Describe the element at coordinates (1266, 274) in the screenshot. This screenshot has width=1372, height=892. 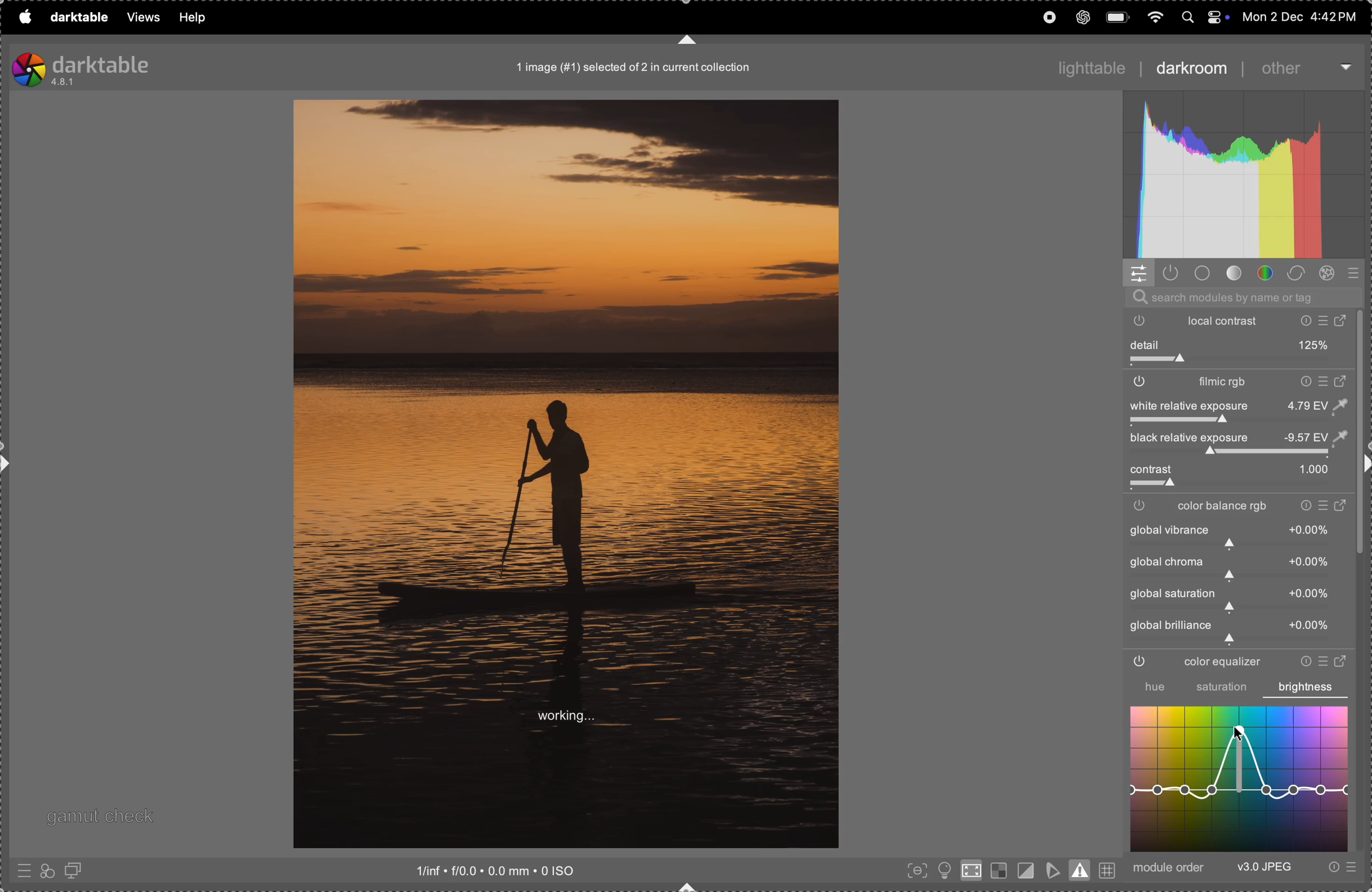
I see `color` at that location.